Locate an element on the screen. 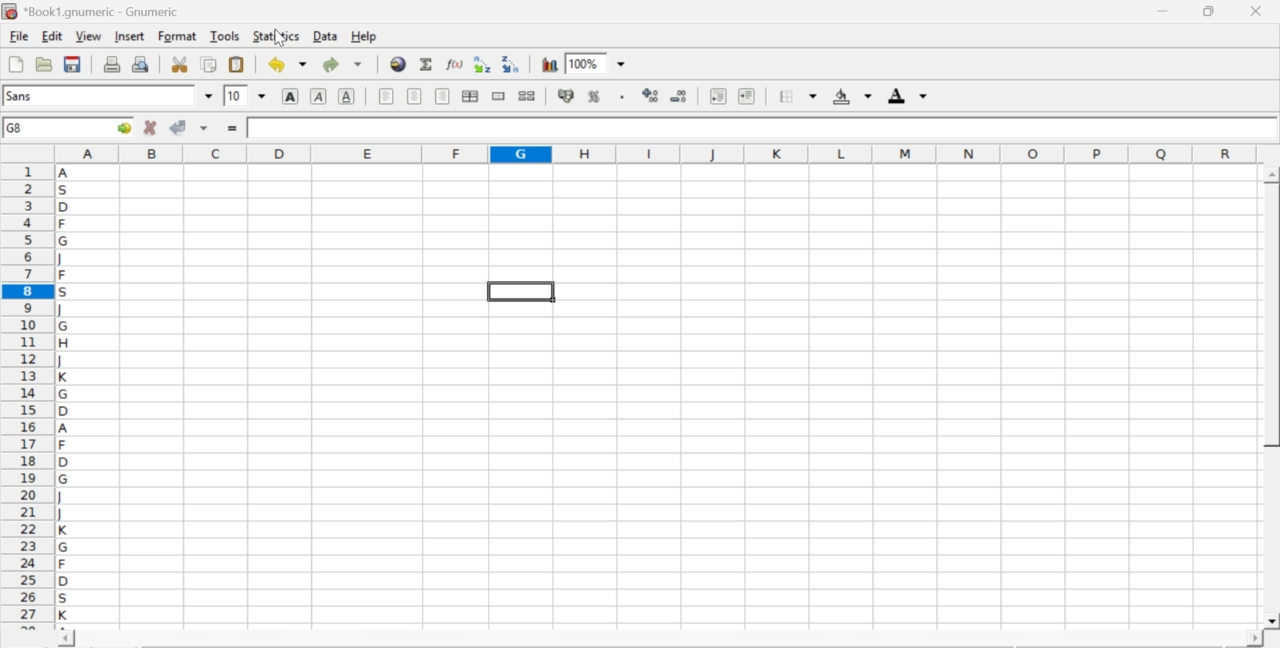 The image size is (1280, 648). cut is located at coordinates (179, 64).